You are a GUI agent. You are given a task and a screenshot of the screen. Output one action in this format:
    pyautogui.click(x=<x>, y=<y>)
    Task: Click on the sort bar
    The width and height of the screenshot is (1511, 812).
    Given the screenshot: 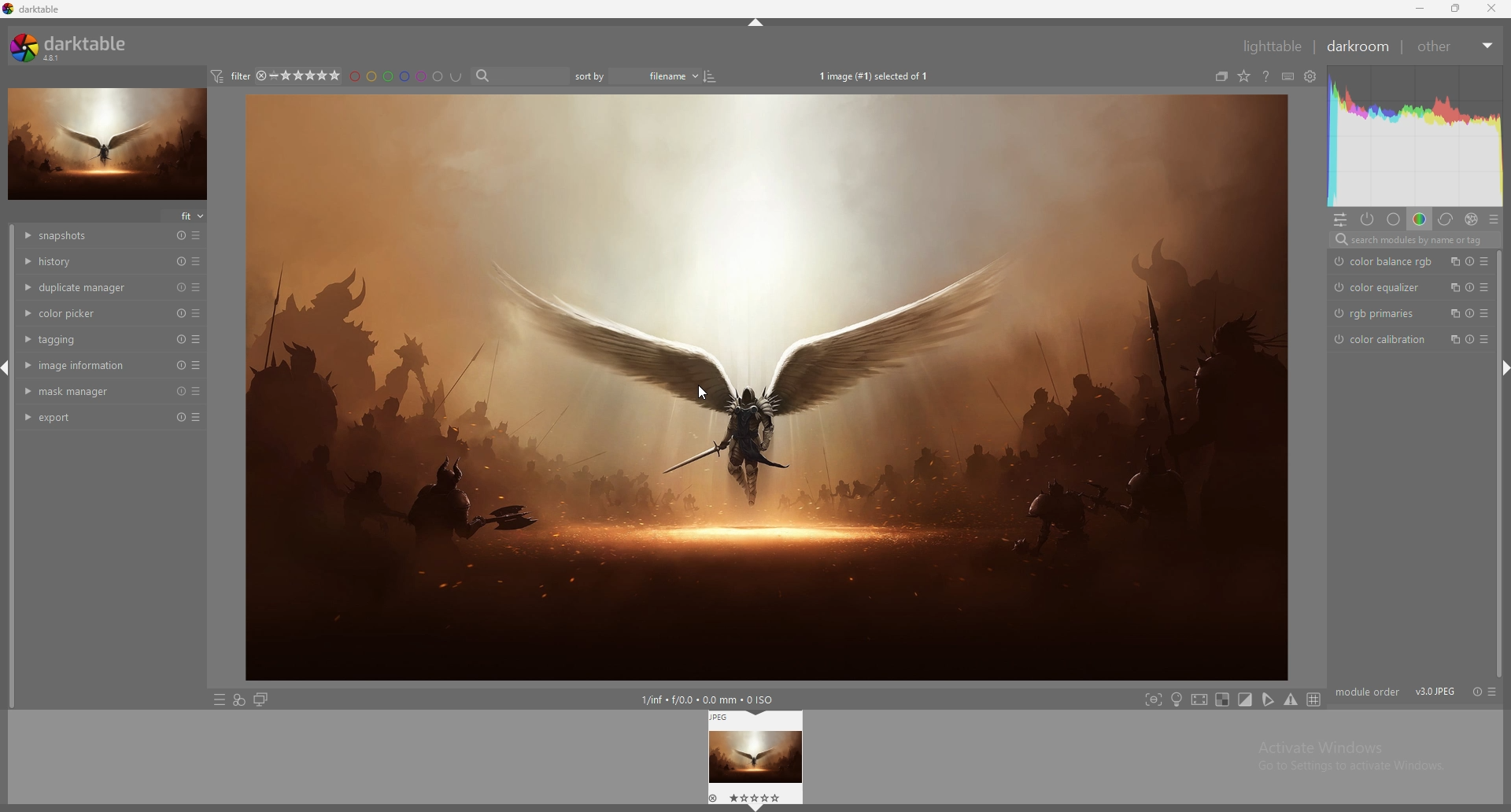 What is the action you would take?
    pyautogui.click(x=590, y=76)
    